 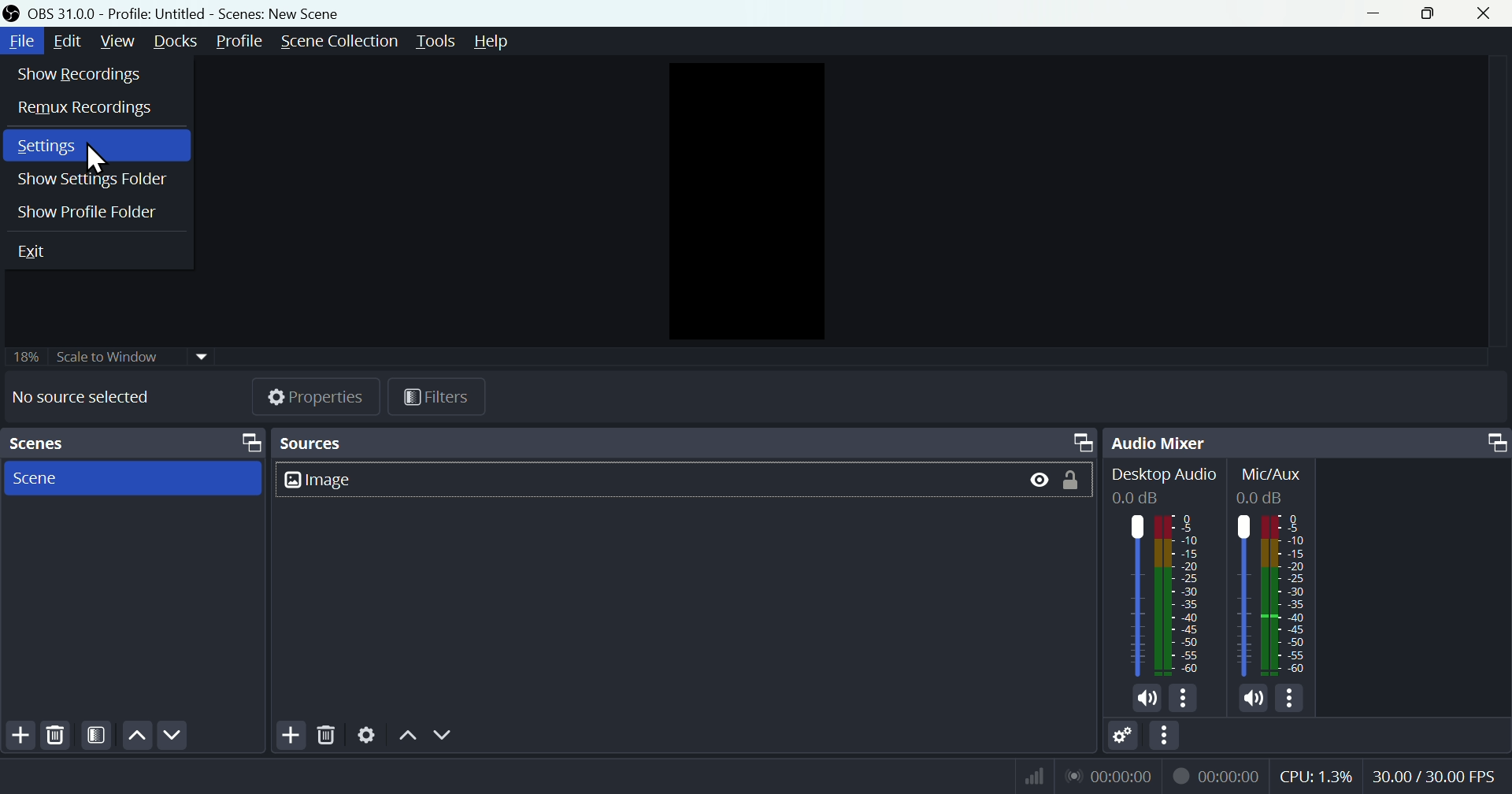 I want to click on lan network, so click(x=1106, y=777).